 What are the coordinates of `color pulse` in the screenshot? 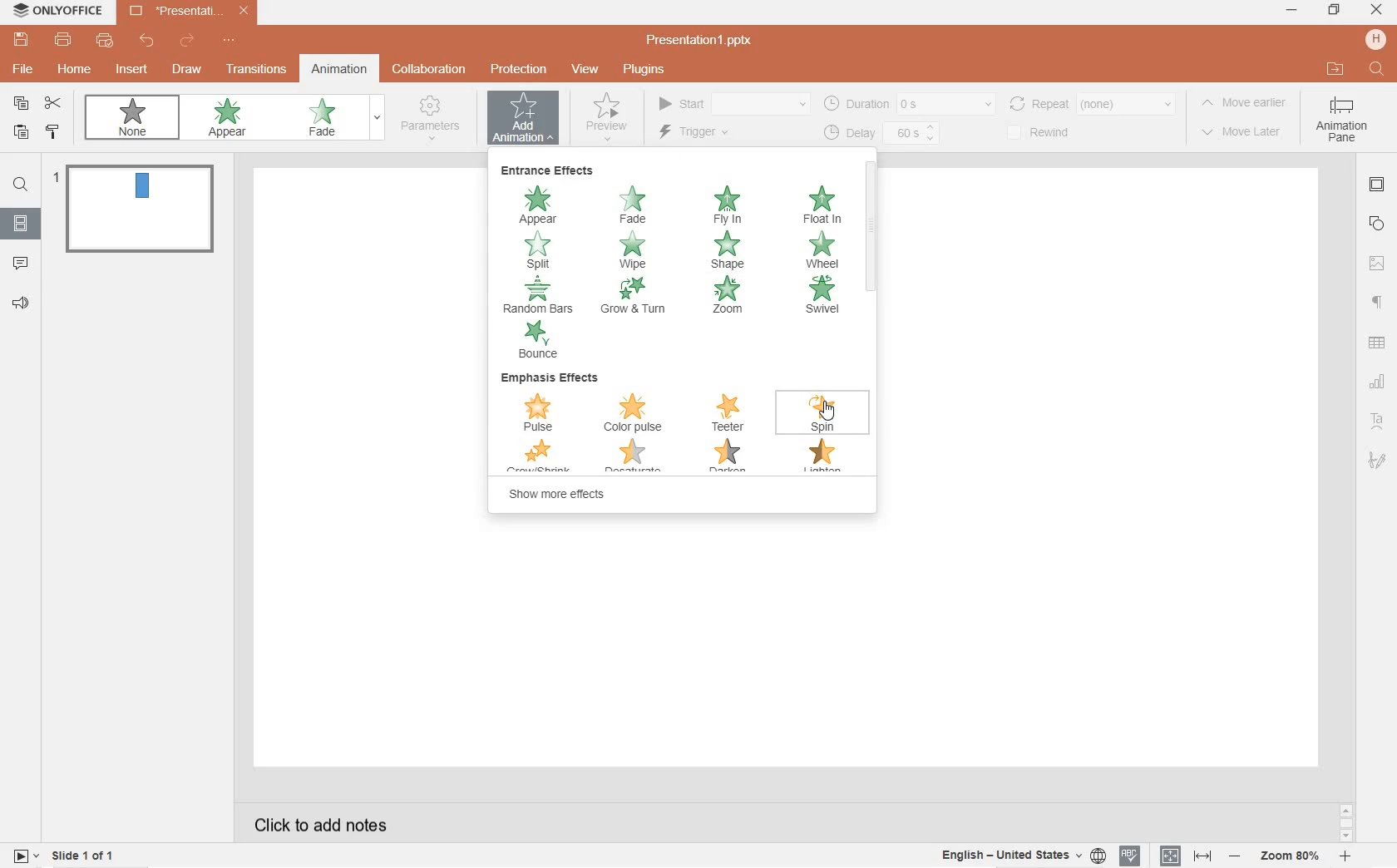 It's located at (639, 414).